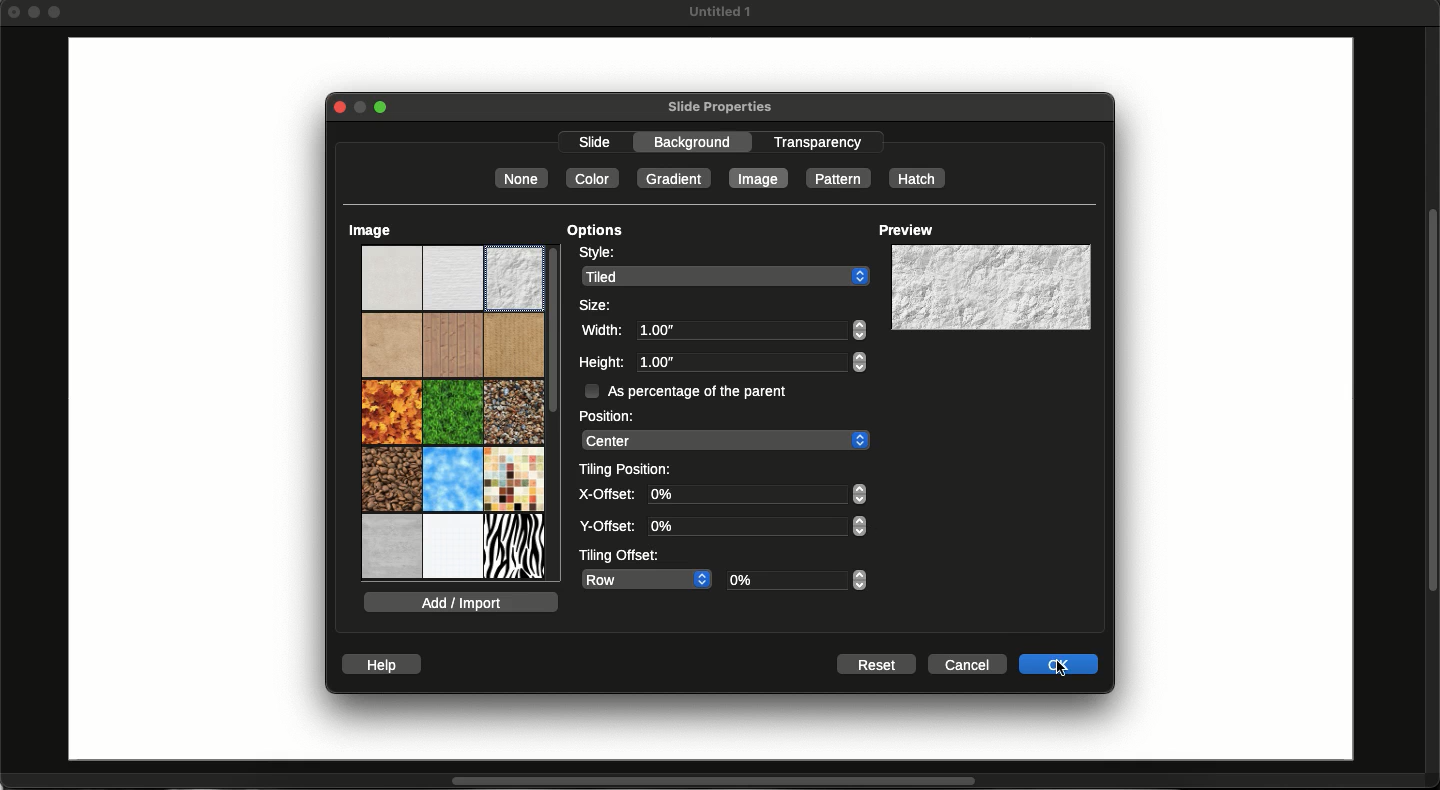  What do you see at coordinates (461, 602) in the screenshot?
I see `Add import` at bounding box center [461, 602].